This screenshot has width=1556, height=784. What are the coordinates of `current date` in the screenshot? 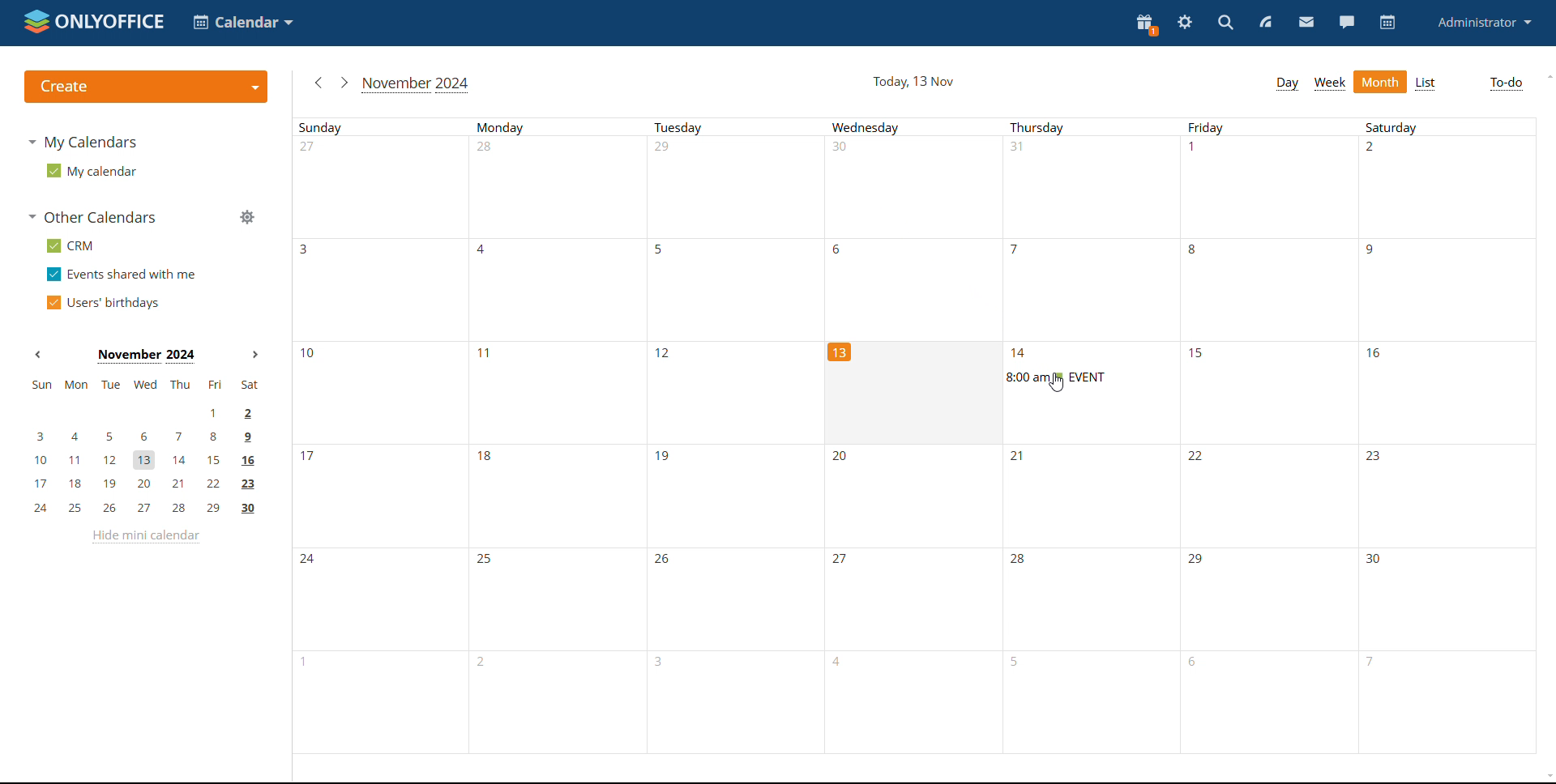 It's located at (911, 82).